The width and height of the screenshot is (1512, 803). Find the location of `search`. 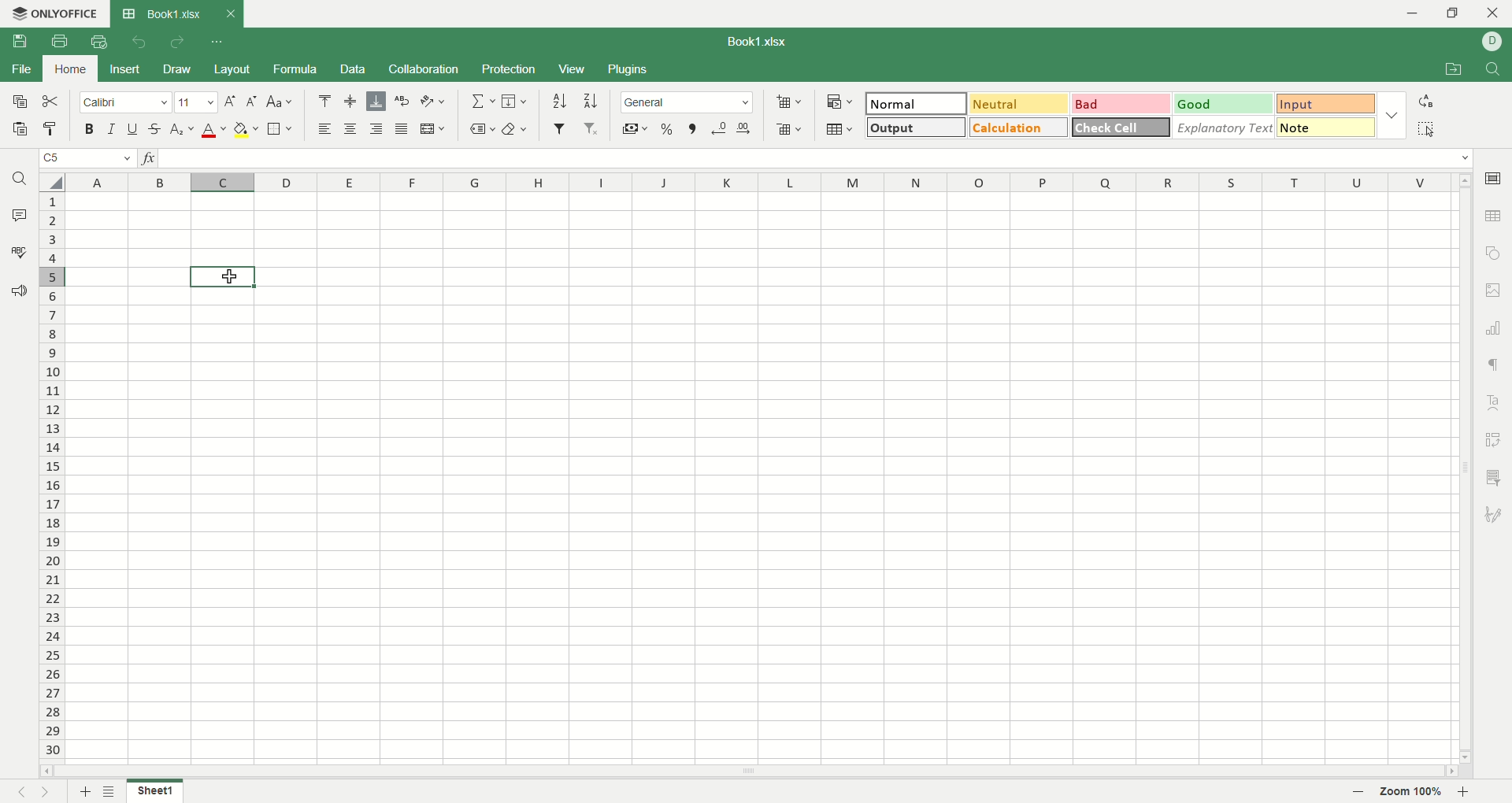

search is located at coordinates (21, 181).